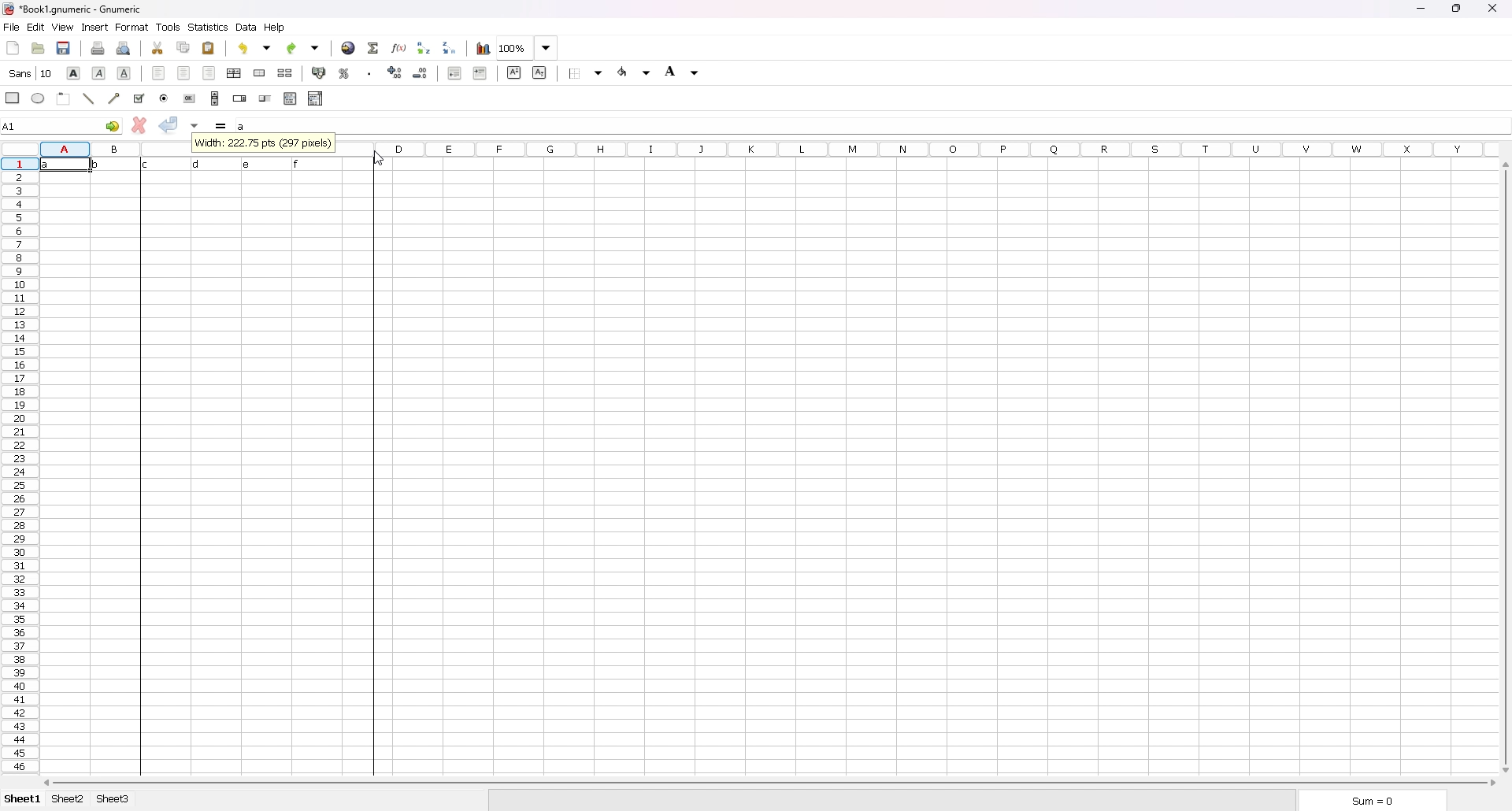 The height and width of the screenshot is (811, 1512). I want to click on cancel changes, so click(139, 124).